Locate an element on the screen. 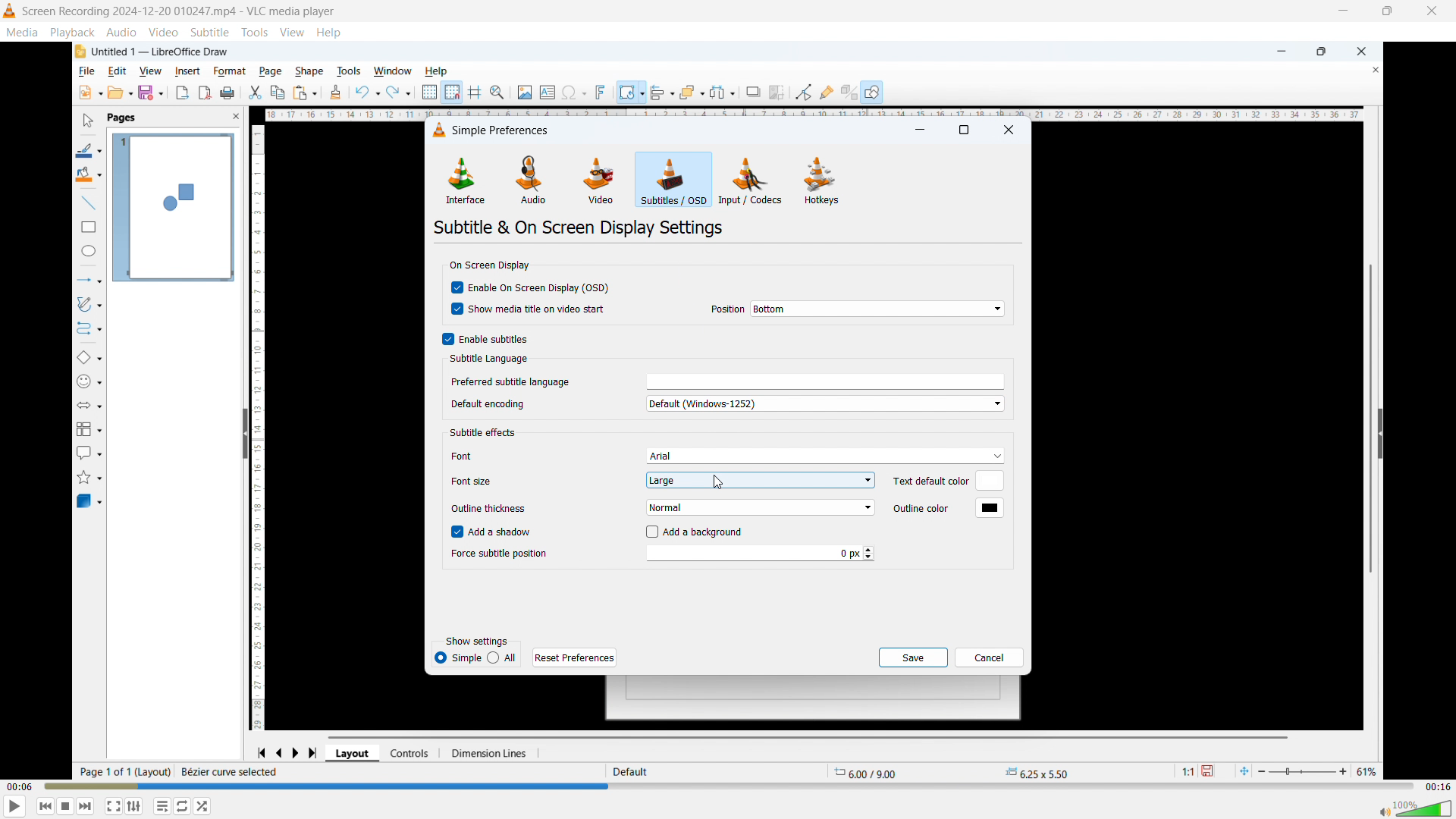  Show settings is located at coordinates (477, 642).